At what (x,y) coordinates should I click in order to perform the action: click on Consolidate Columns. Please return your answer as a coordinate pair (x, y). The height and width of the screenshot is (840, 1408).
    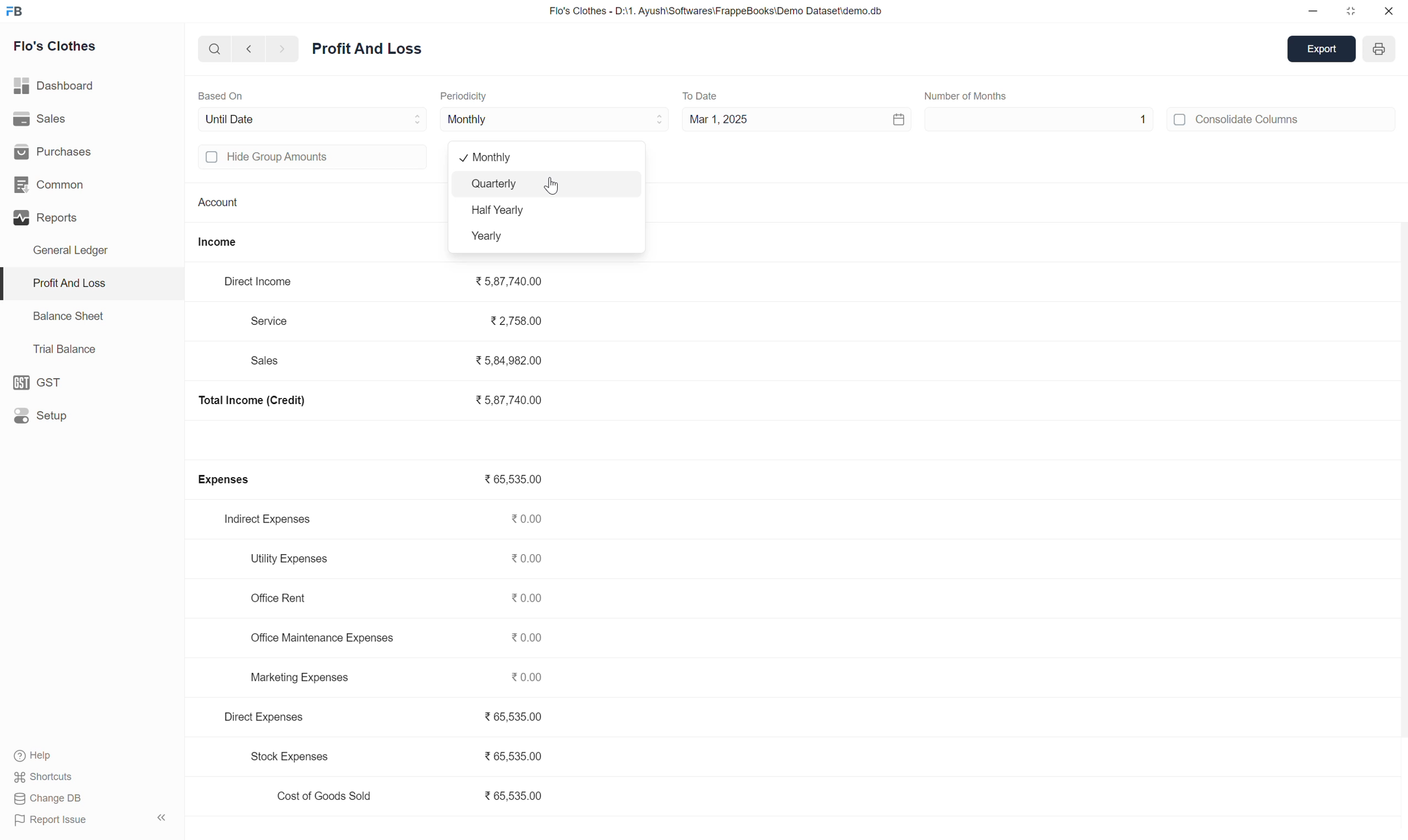
    Looking at the image, I should click on (1239, 122).